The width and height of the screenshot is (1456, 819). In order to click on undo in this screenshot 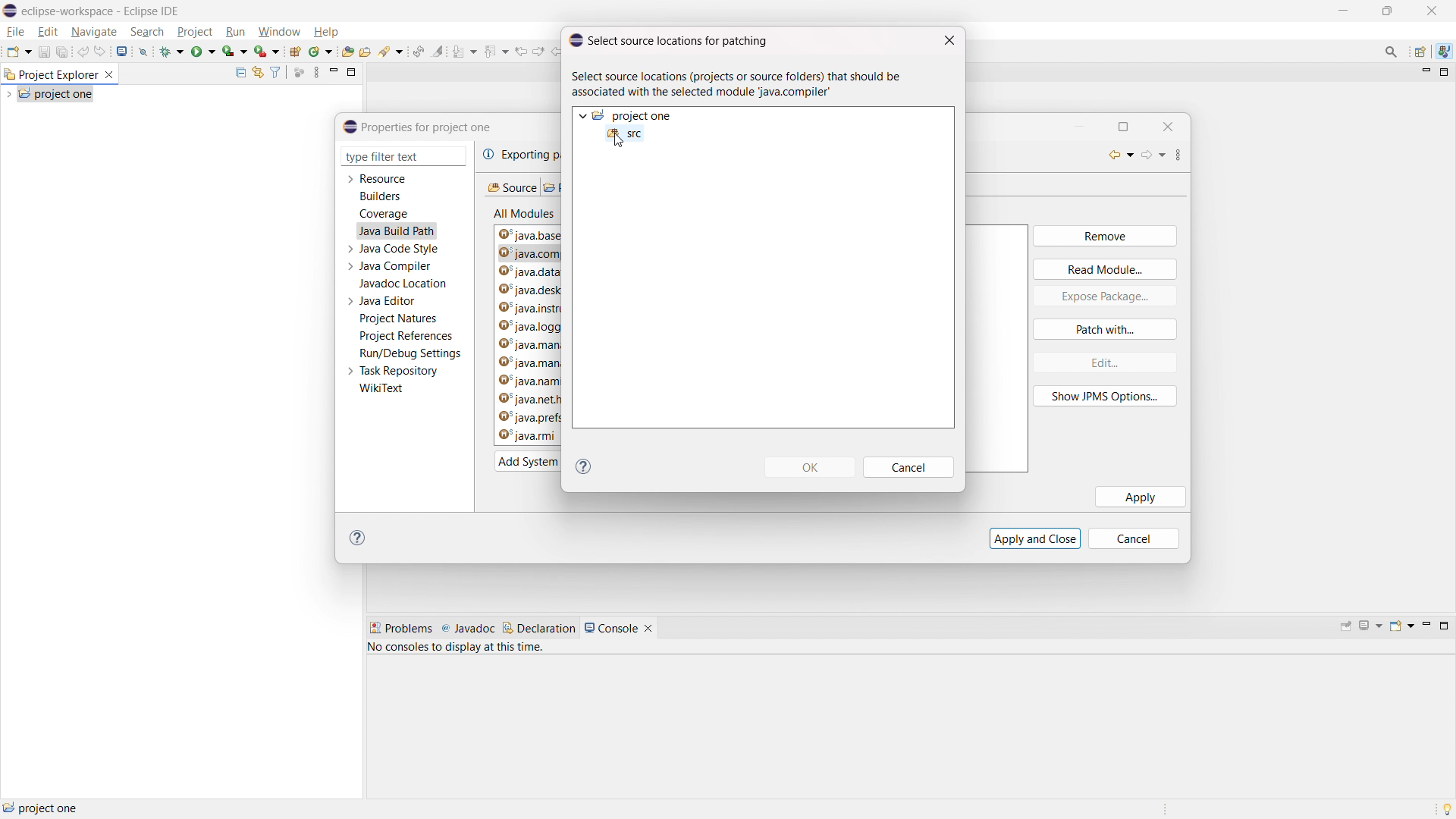, I will do `click(83, 51)`.